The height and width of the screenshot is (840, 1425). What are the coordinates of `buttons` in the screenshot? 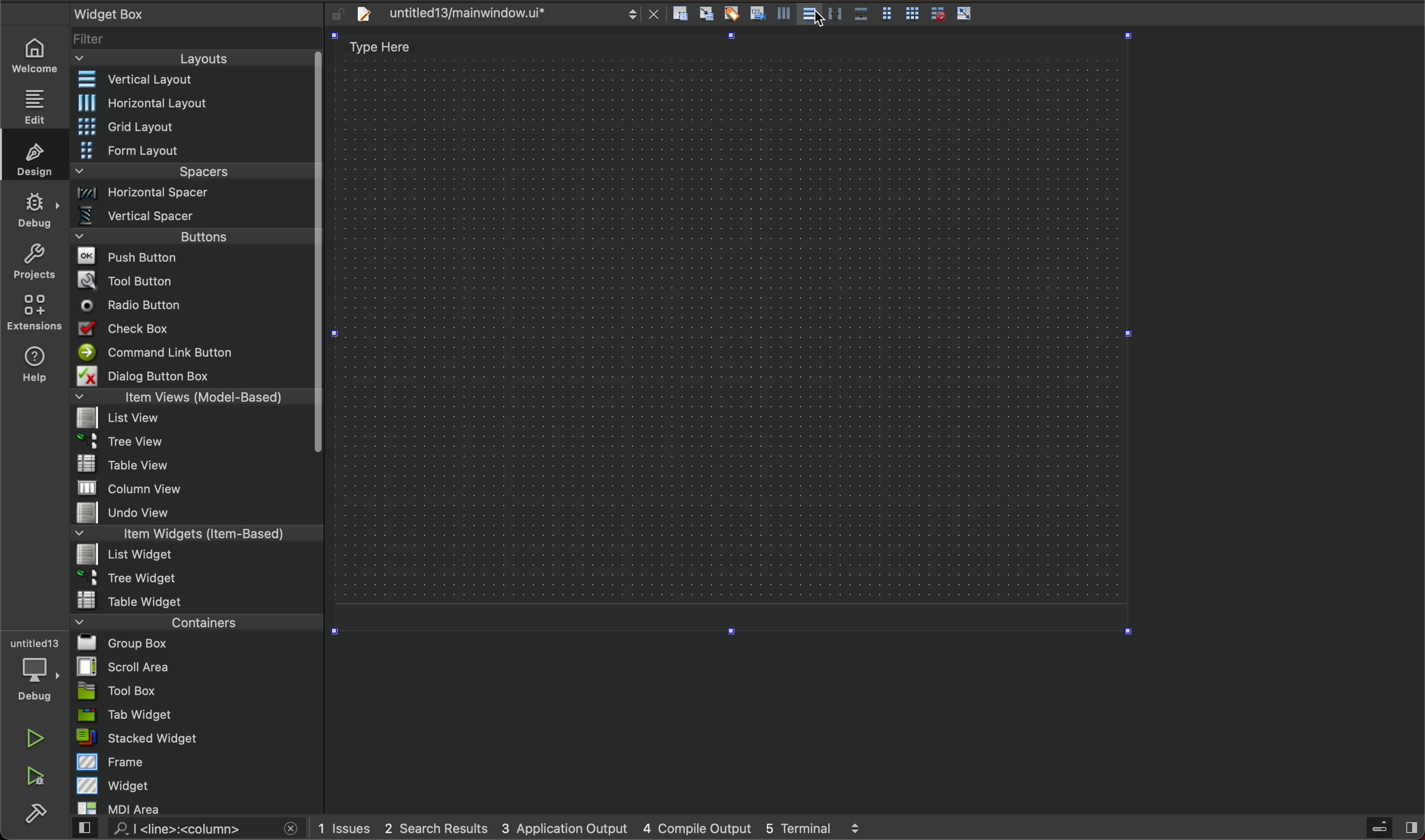 It's located at (200, 235).